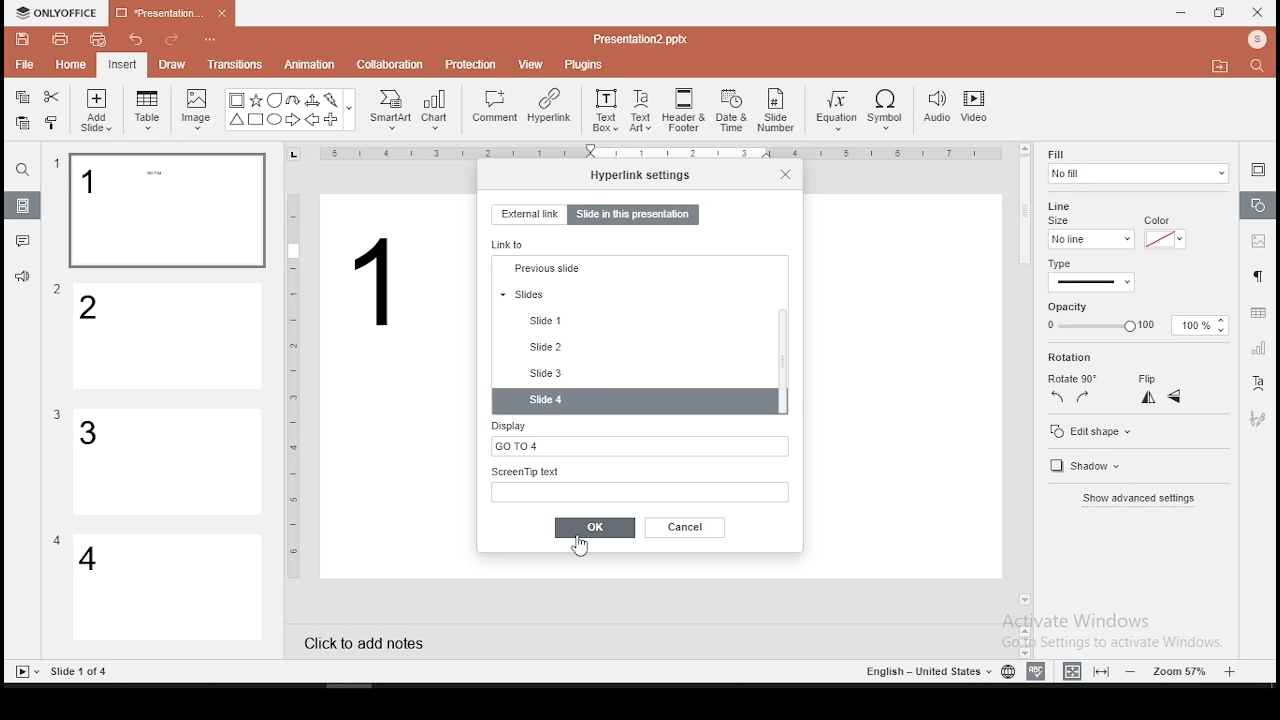 Image resolution: width=1280 pixels, height=720 pixels. I want to click on cancel, so click(686, 527).